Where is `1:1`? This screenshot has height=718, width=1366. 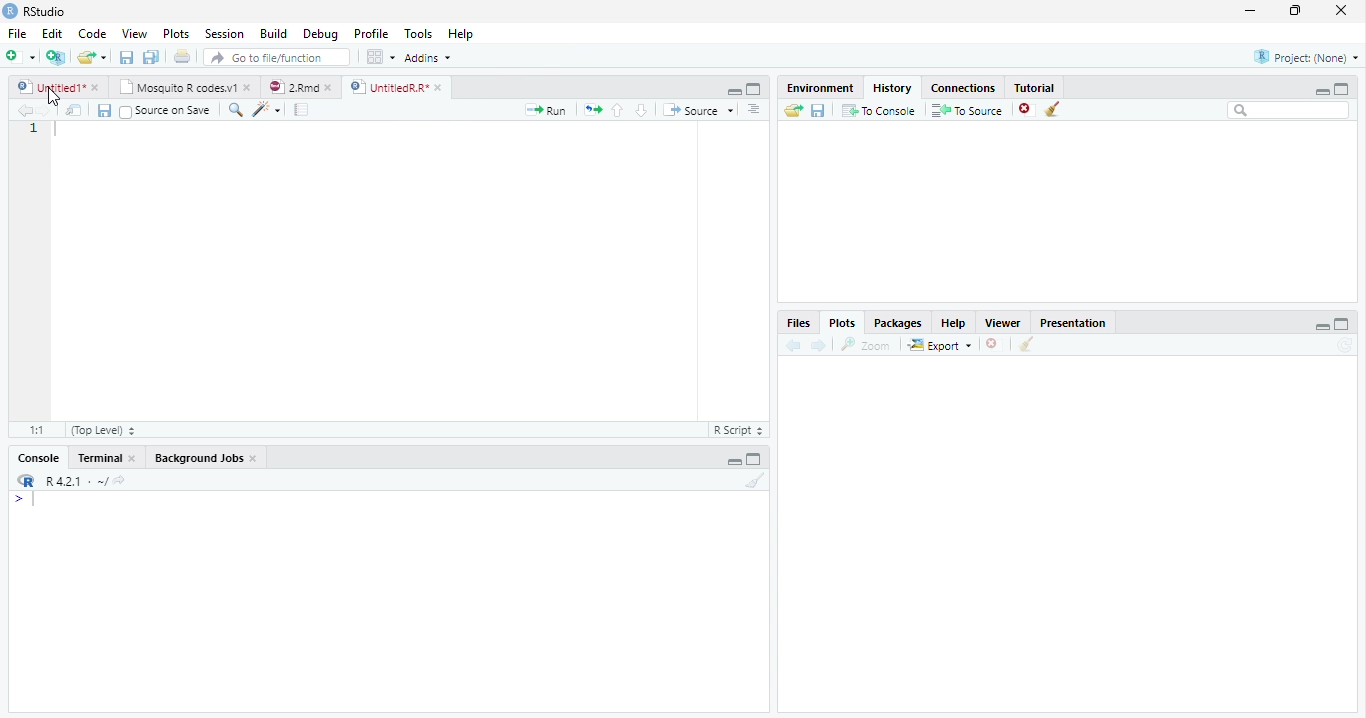 1:1 is located at coordinates (40, 430).